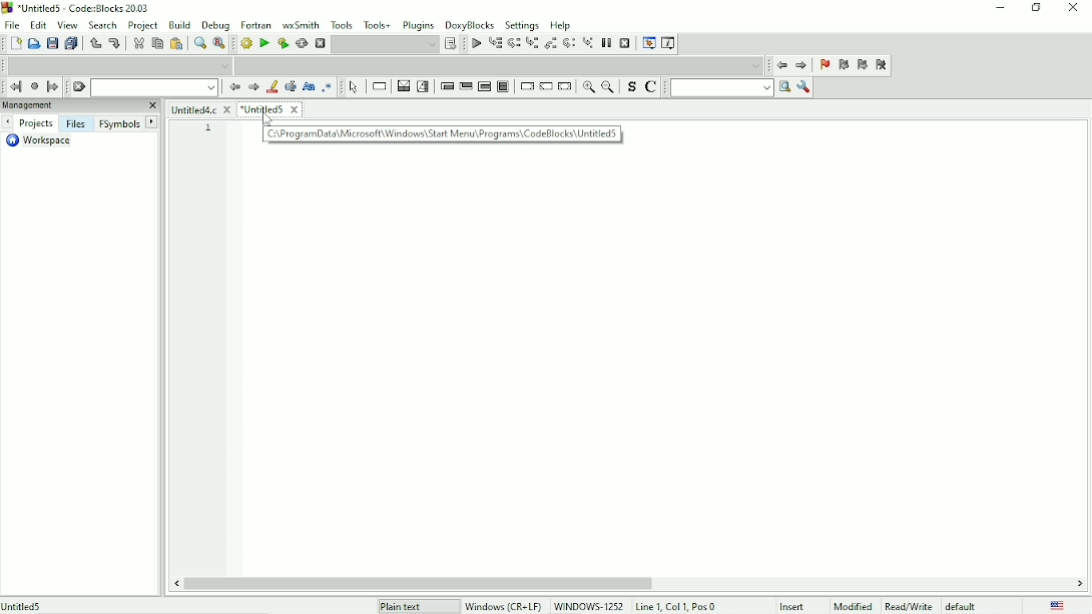 This screenshot has height=614, width=1092. Describe the element at coordinates (610, 87) in the screenshot. I see `Zoom out` at that location.